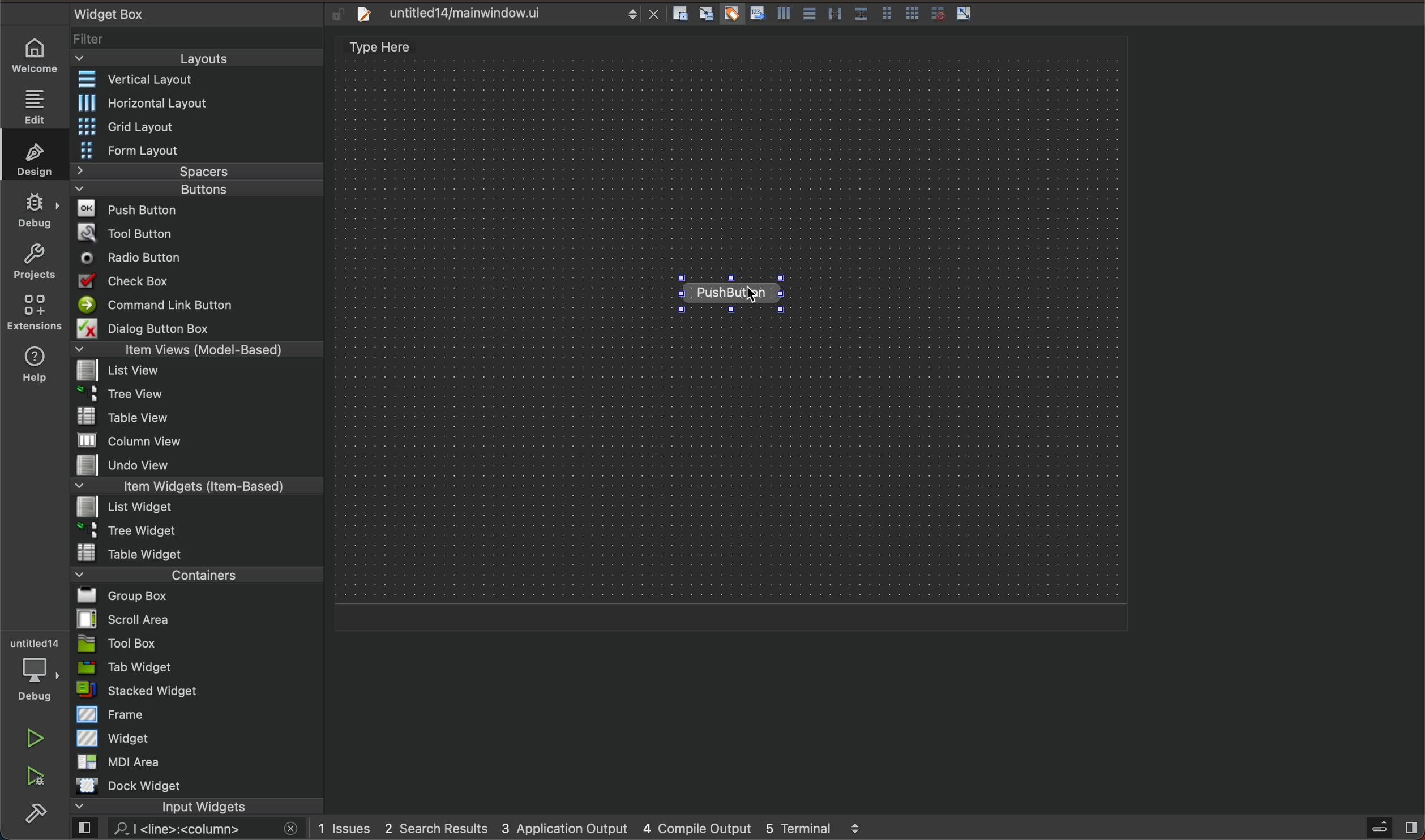 The width and height of the screenshot is (1425, 840). I want to click on tool button, so click(203, 233).